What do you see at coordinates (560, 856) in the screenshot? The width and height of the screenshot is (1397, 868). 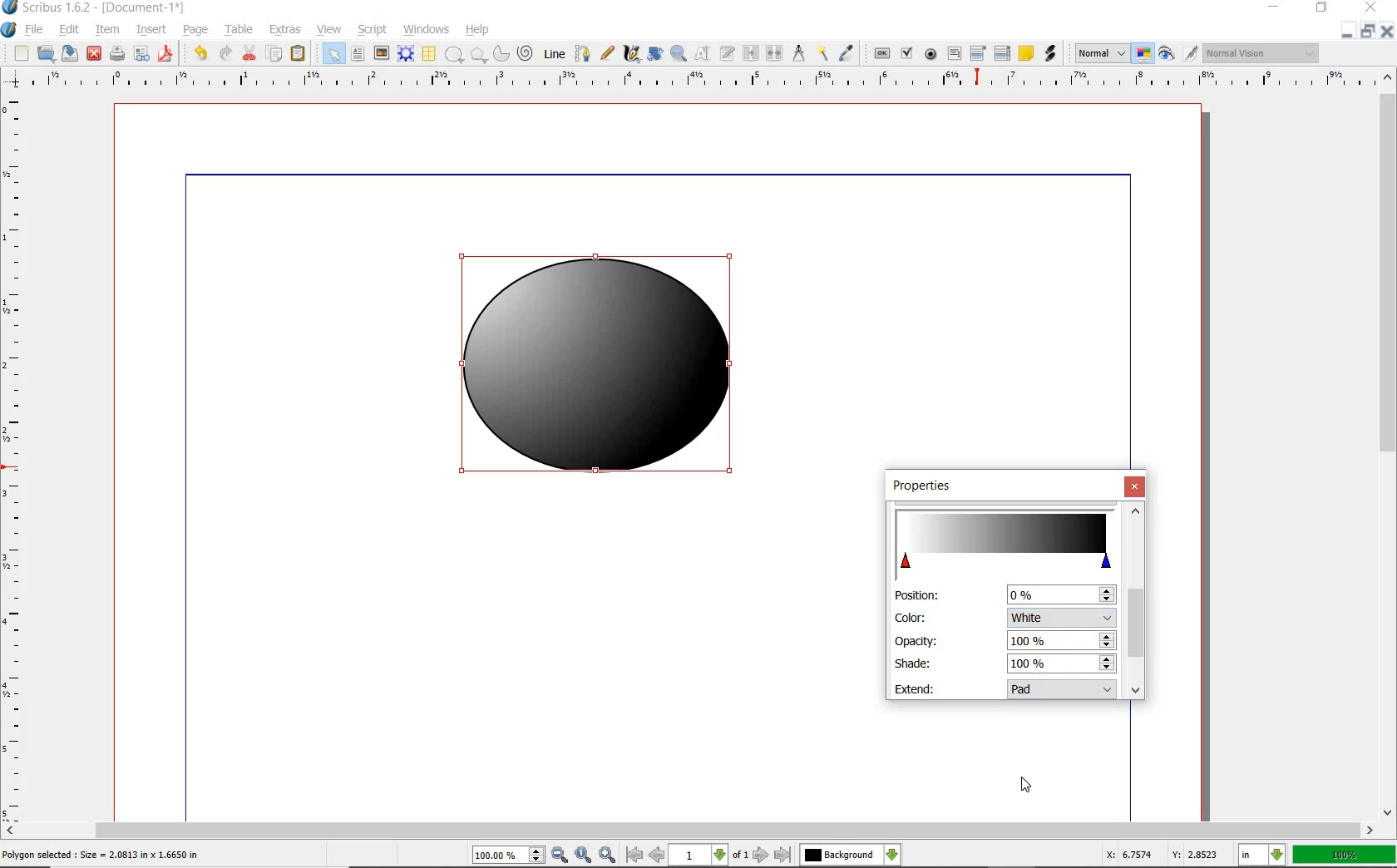 I see `zoom in` at bounding box center [560, 856].